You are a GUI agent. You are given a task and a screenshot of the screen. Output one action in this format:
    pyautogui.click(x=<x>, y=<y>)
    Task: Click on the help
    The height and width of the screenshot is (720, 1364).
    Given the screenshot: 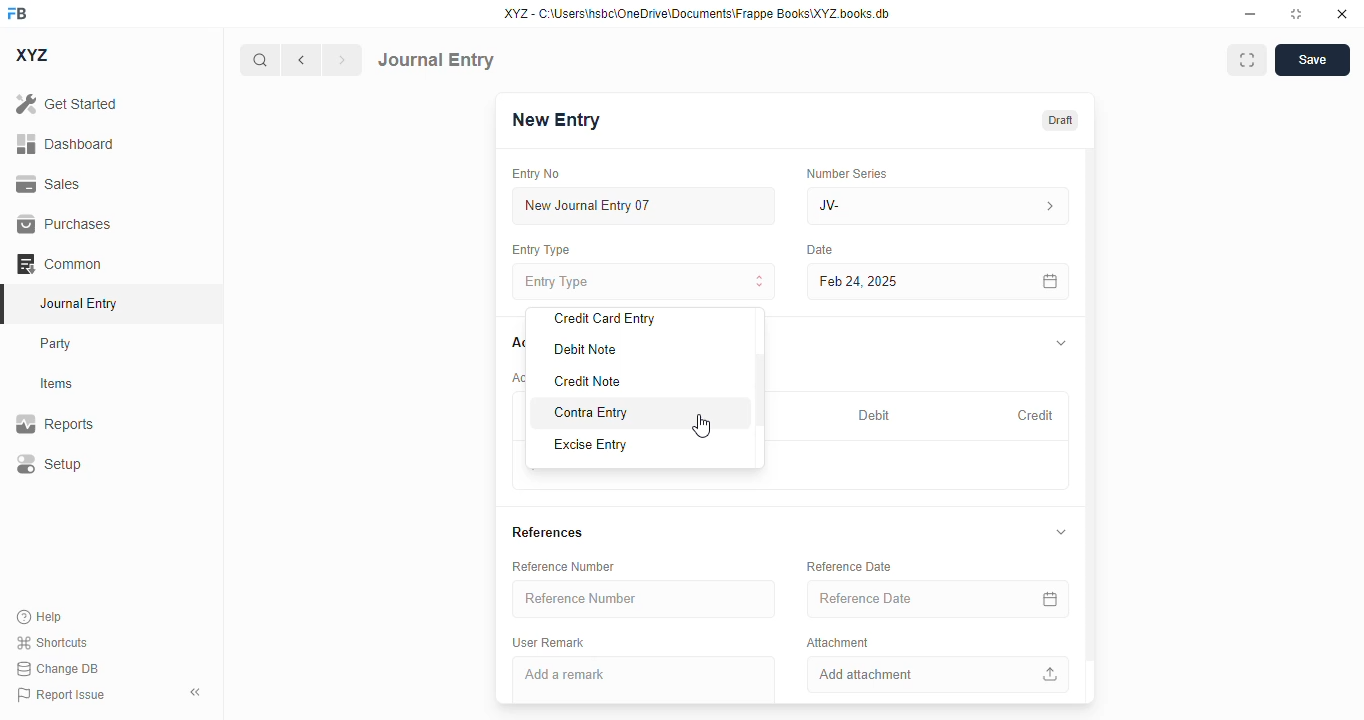 What is the action you would take?
    pyautogui.click(x=40, y=617)
    